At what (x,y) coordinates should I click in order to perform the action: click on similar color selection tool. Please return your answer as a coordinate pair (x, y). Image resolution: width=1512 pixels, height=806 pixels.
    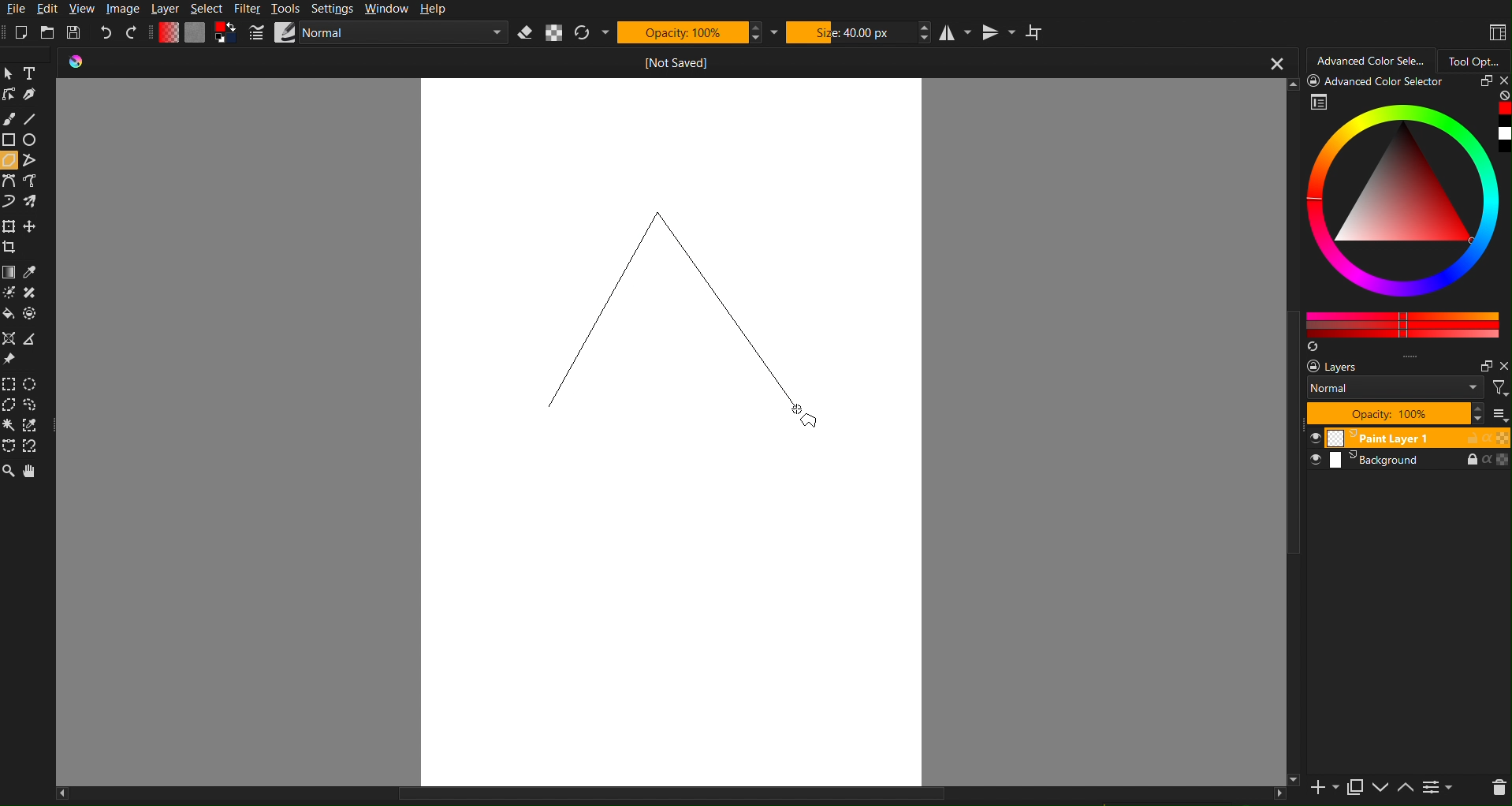
    Looking at the image, I should click on (33, 425).